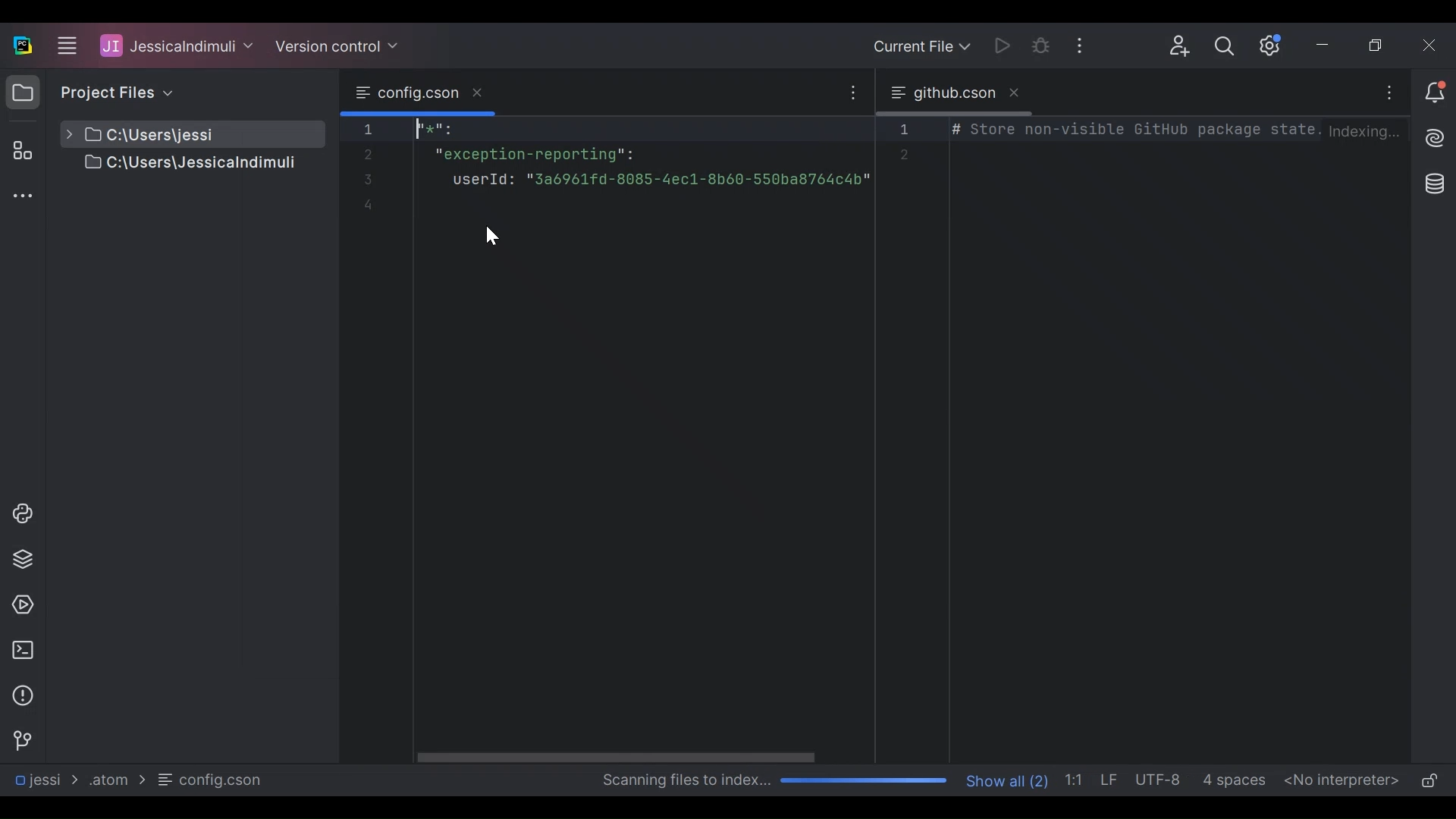  What do you see at coordinates (23, 92) in the screenshot?
I see `Project View` at bounding box center [23, 92].